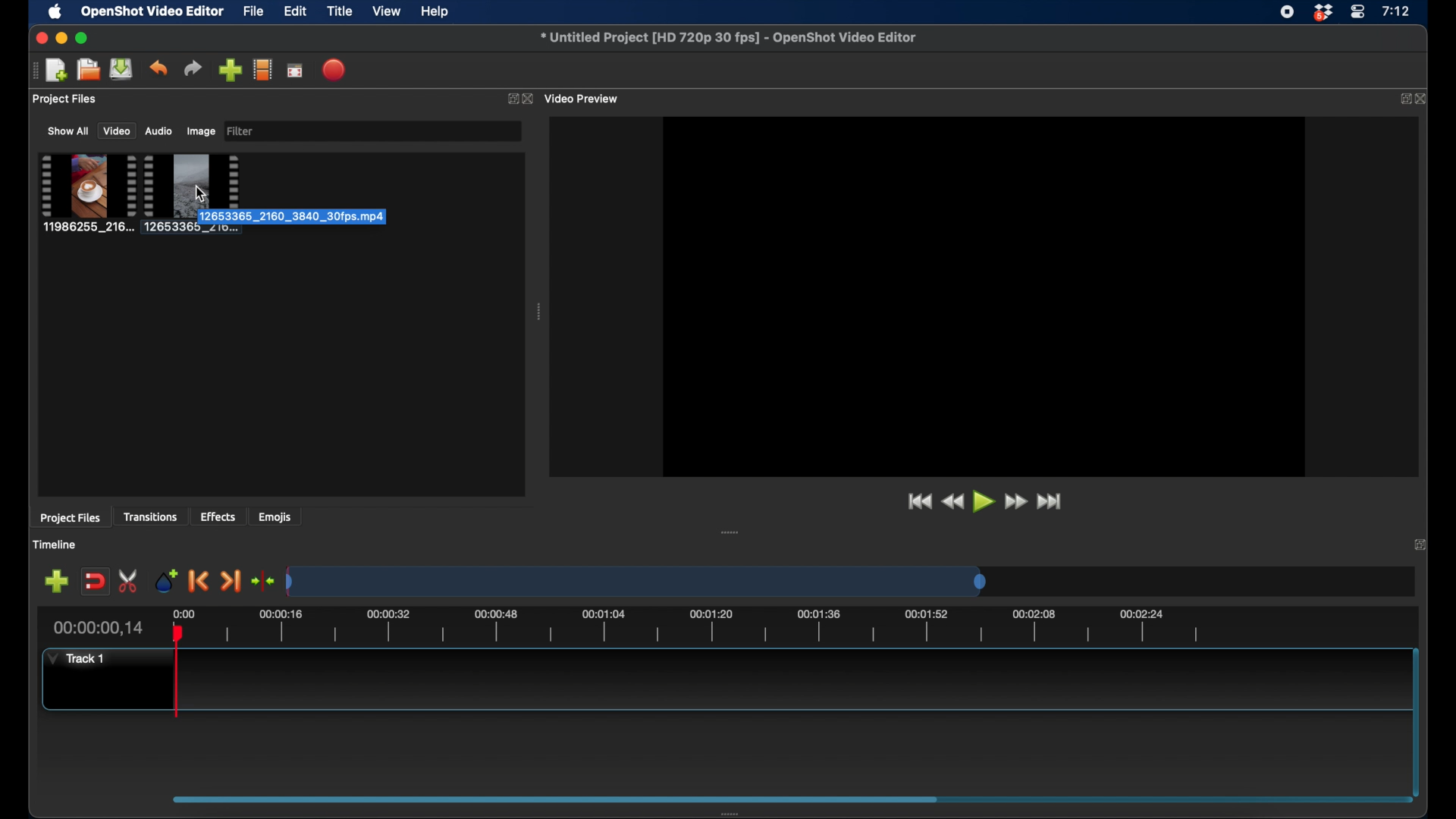 The width and height of the screenshot is (1456, 819). I want to click on close, so click(40, 38).